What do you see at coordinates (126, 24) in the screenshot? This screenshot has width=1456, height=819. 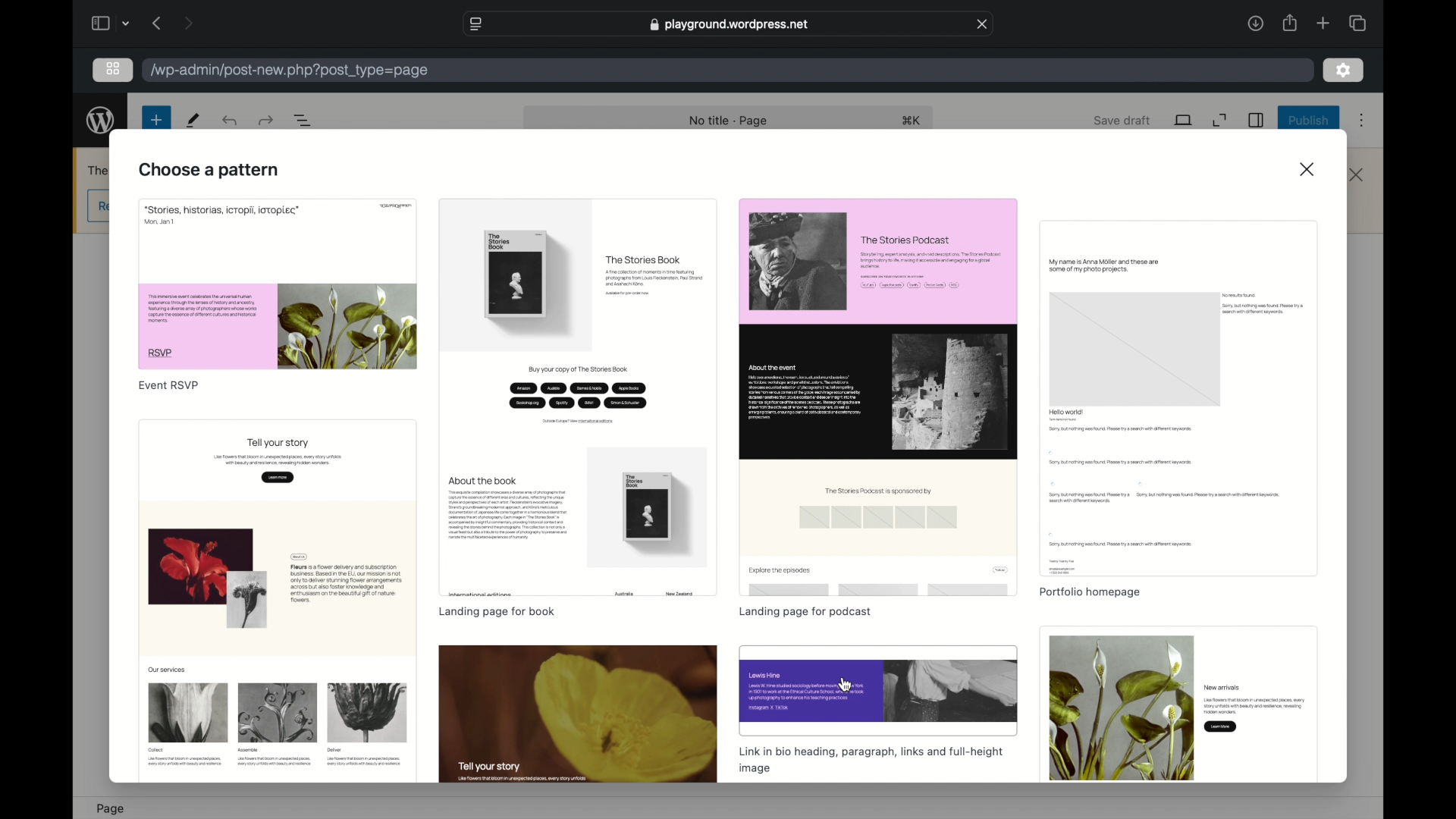 I see `drop-down` at bounding box center [126, 24].